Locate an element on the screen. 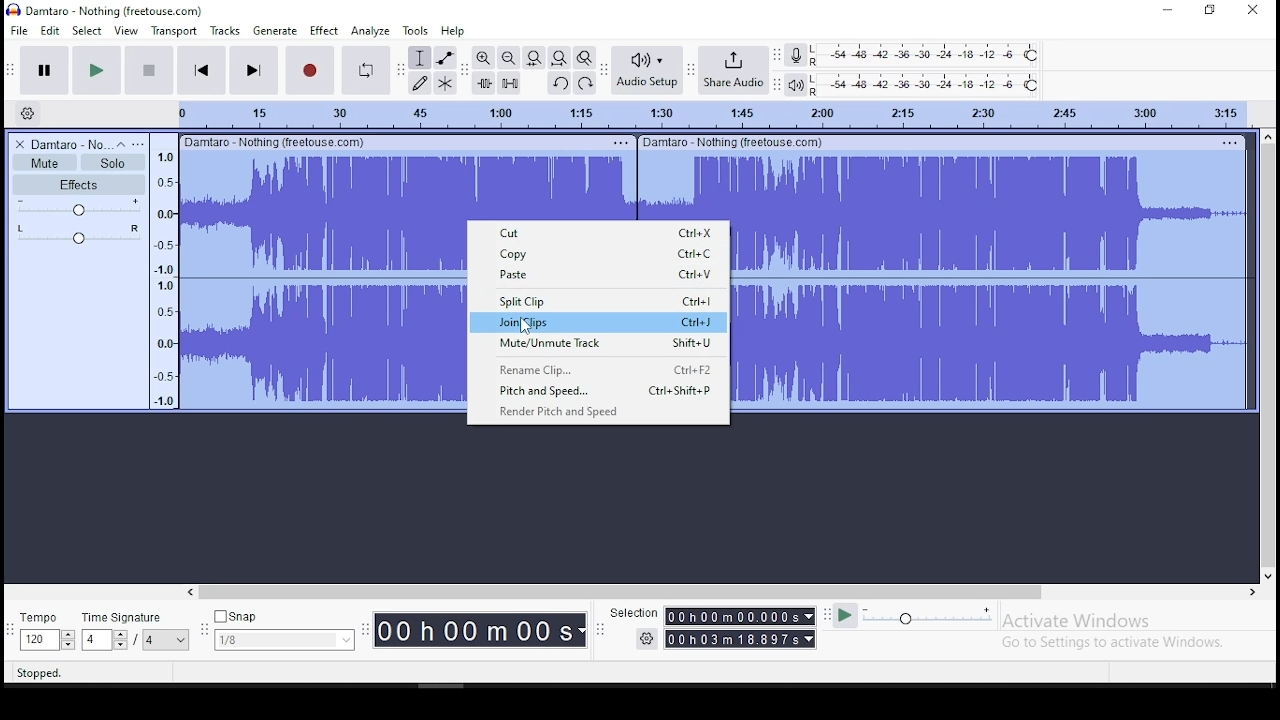 This screenshot has height=720, width=1280. scroll bar is located at coordinates (622, 592).